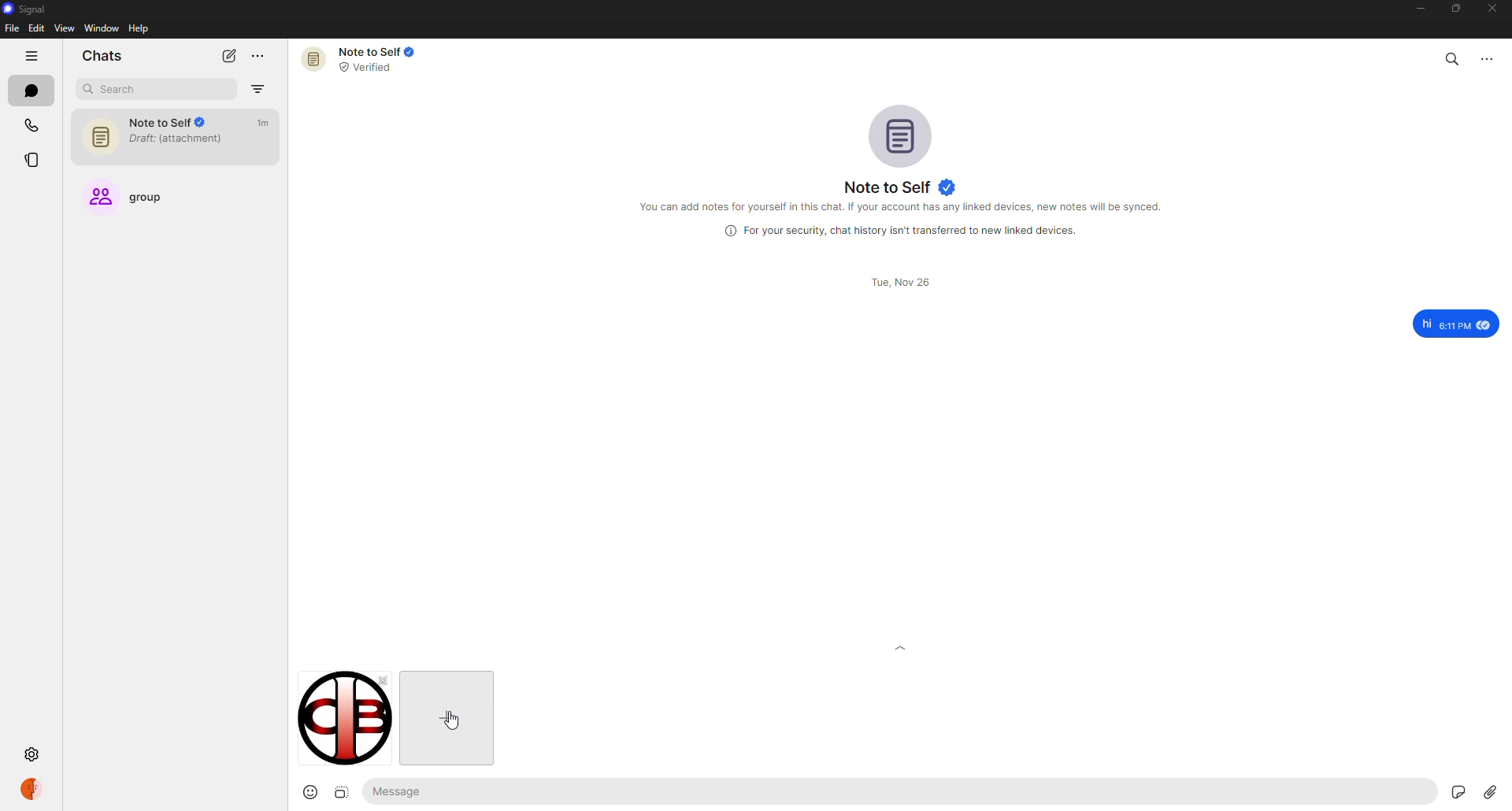  What do you see at coordinates (900, 187) in the screenshot?
I see `note to self` at bounding box center [900, 187].